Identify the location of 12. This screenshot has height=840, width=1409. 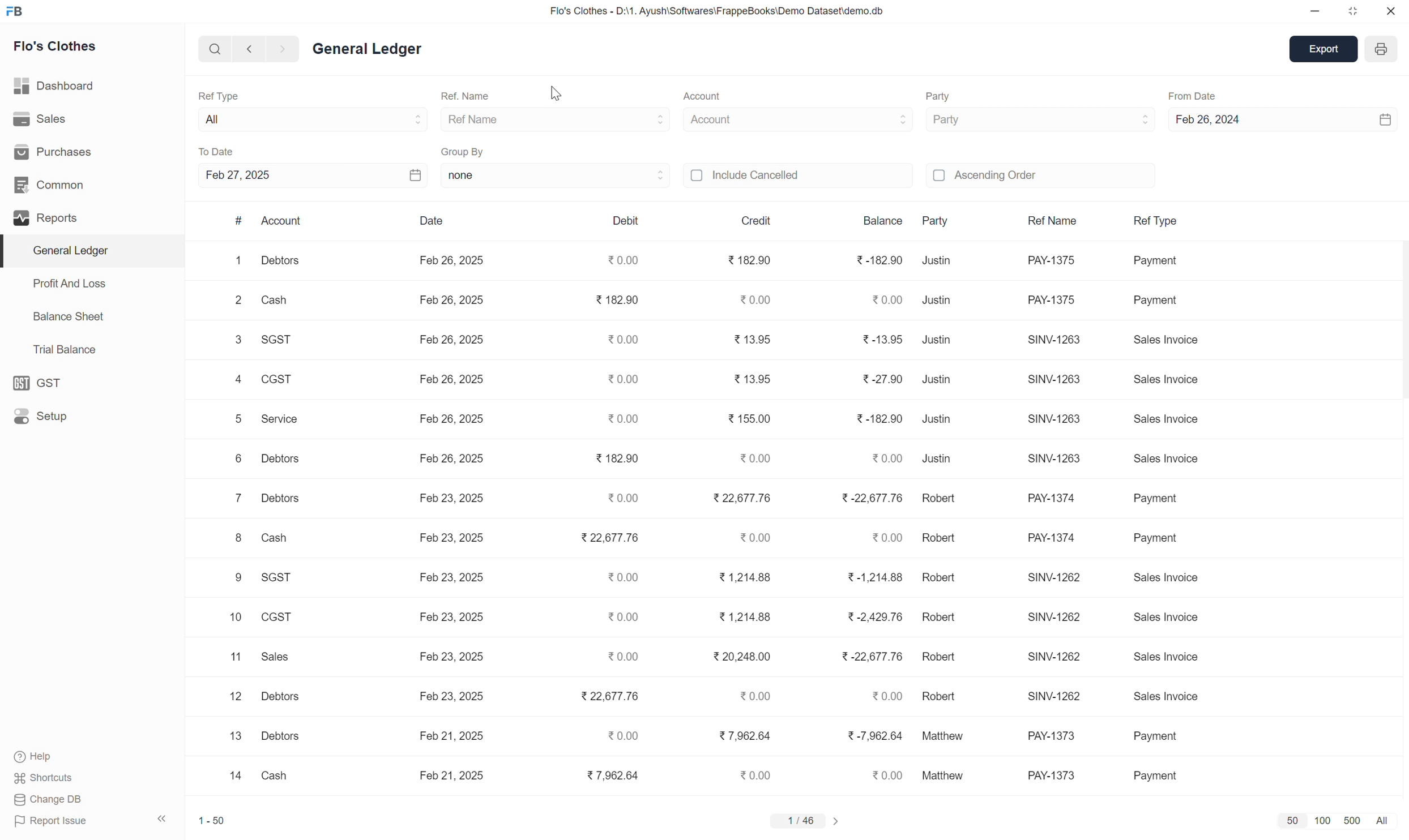
(237, 696).